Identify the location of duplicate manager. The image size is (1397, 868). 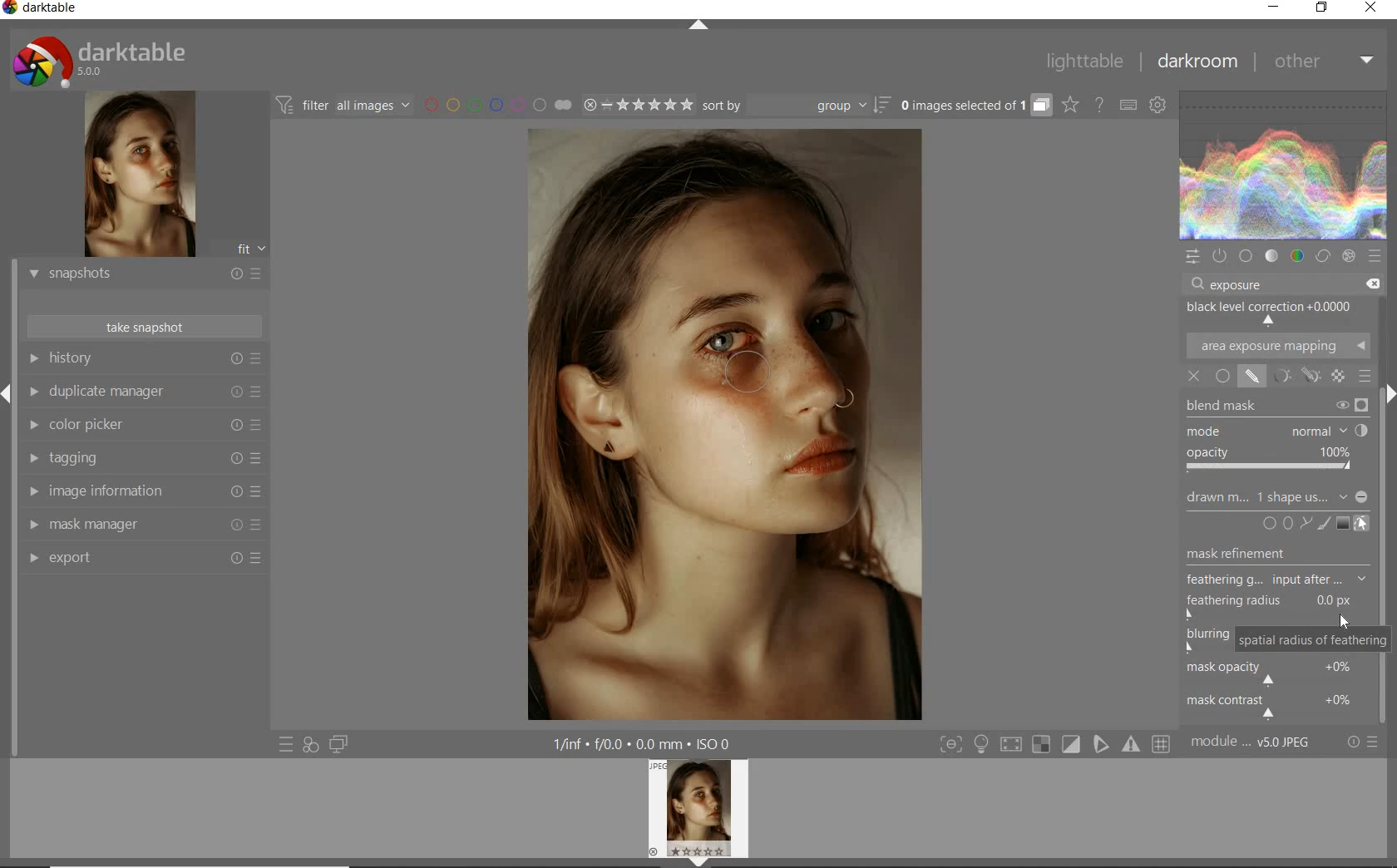
(143, 392).